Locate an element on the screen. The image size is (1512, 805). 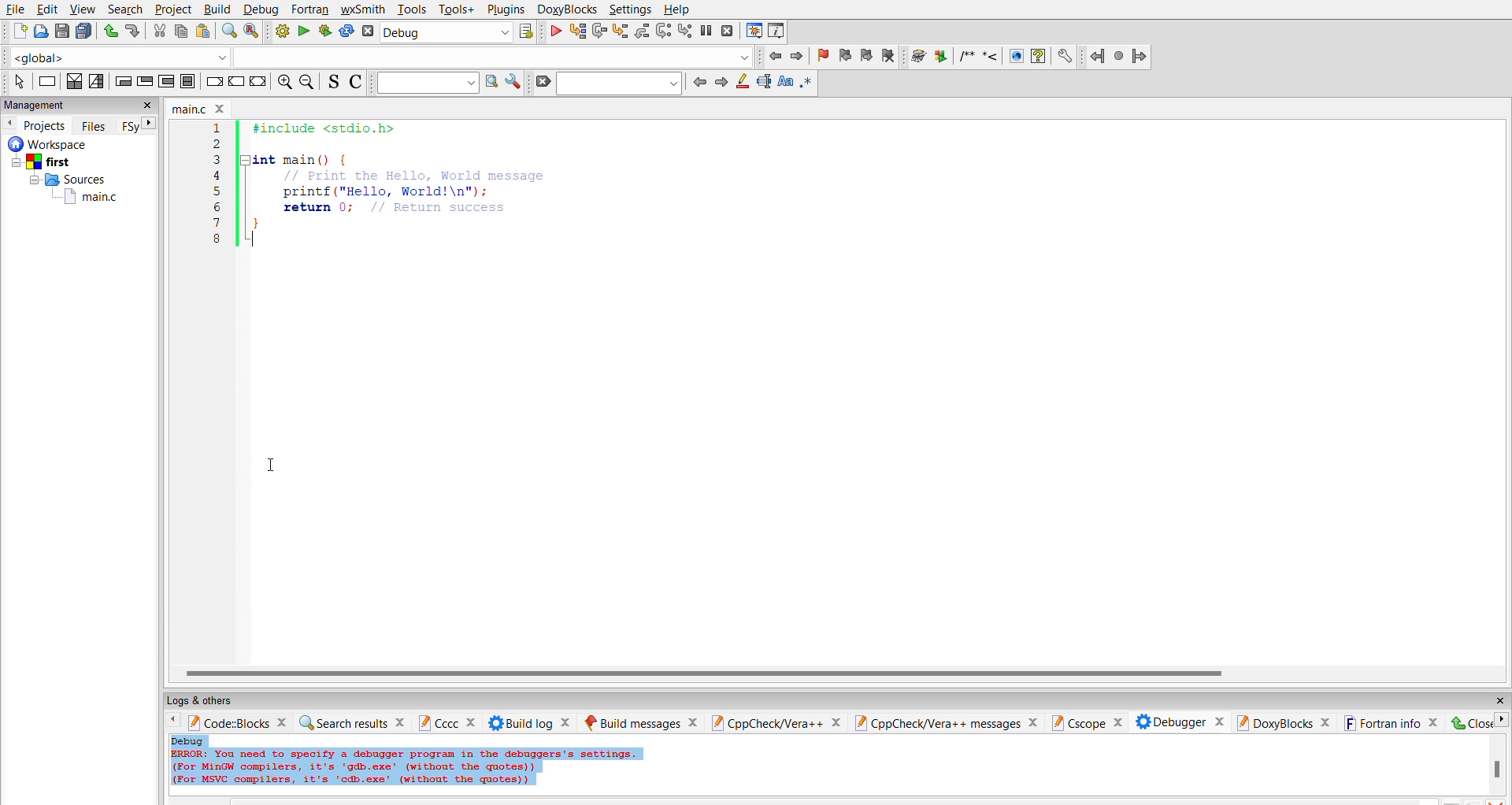
cppcheck/vera++ is located at coordinates (776, 719).